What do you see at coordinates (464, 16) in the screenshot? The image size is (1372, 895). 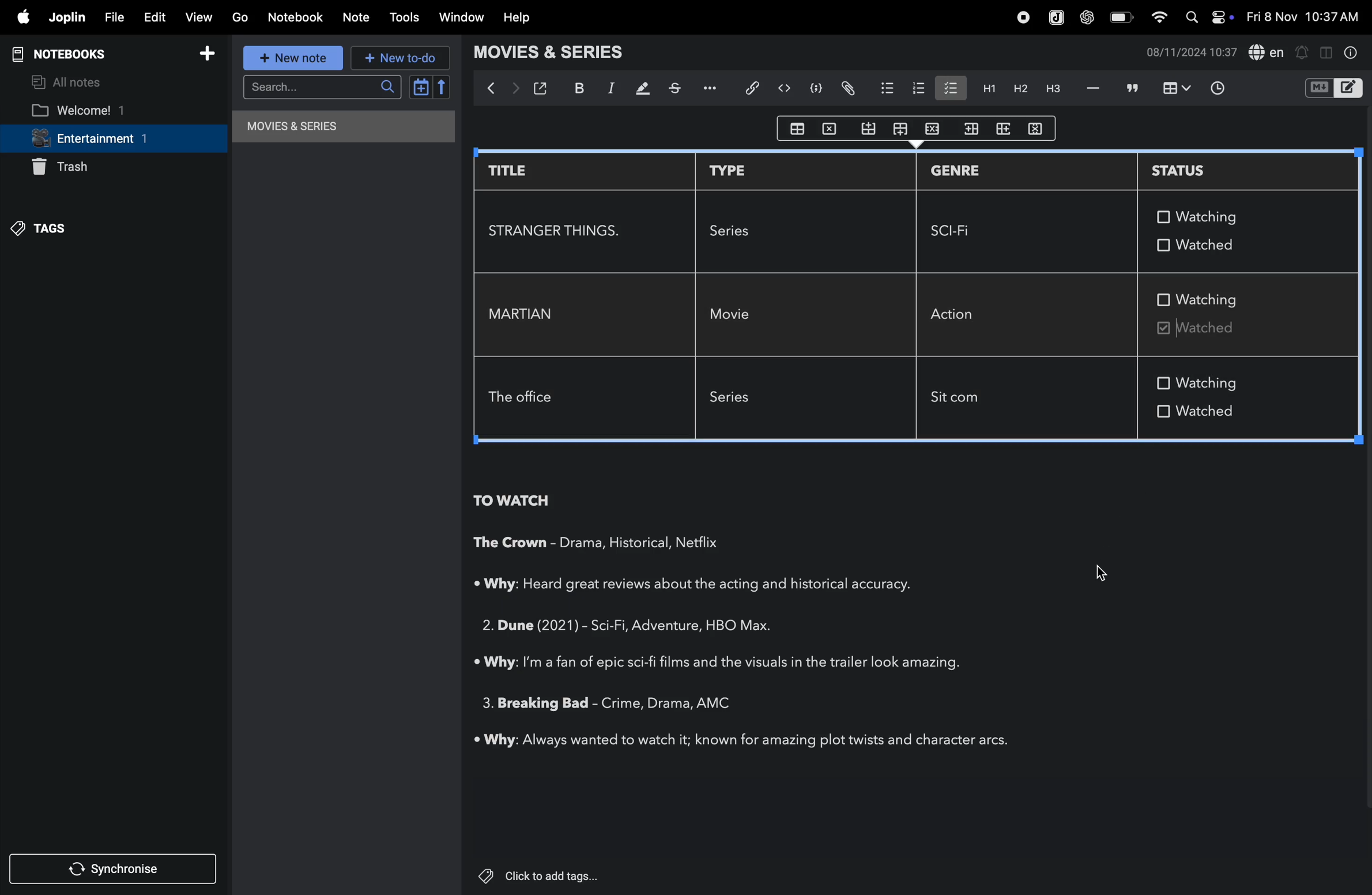 I see `window` at bounding box center [464, 16].